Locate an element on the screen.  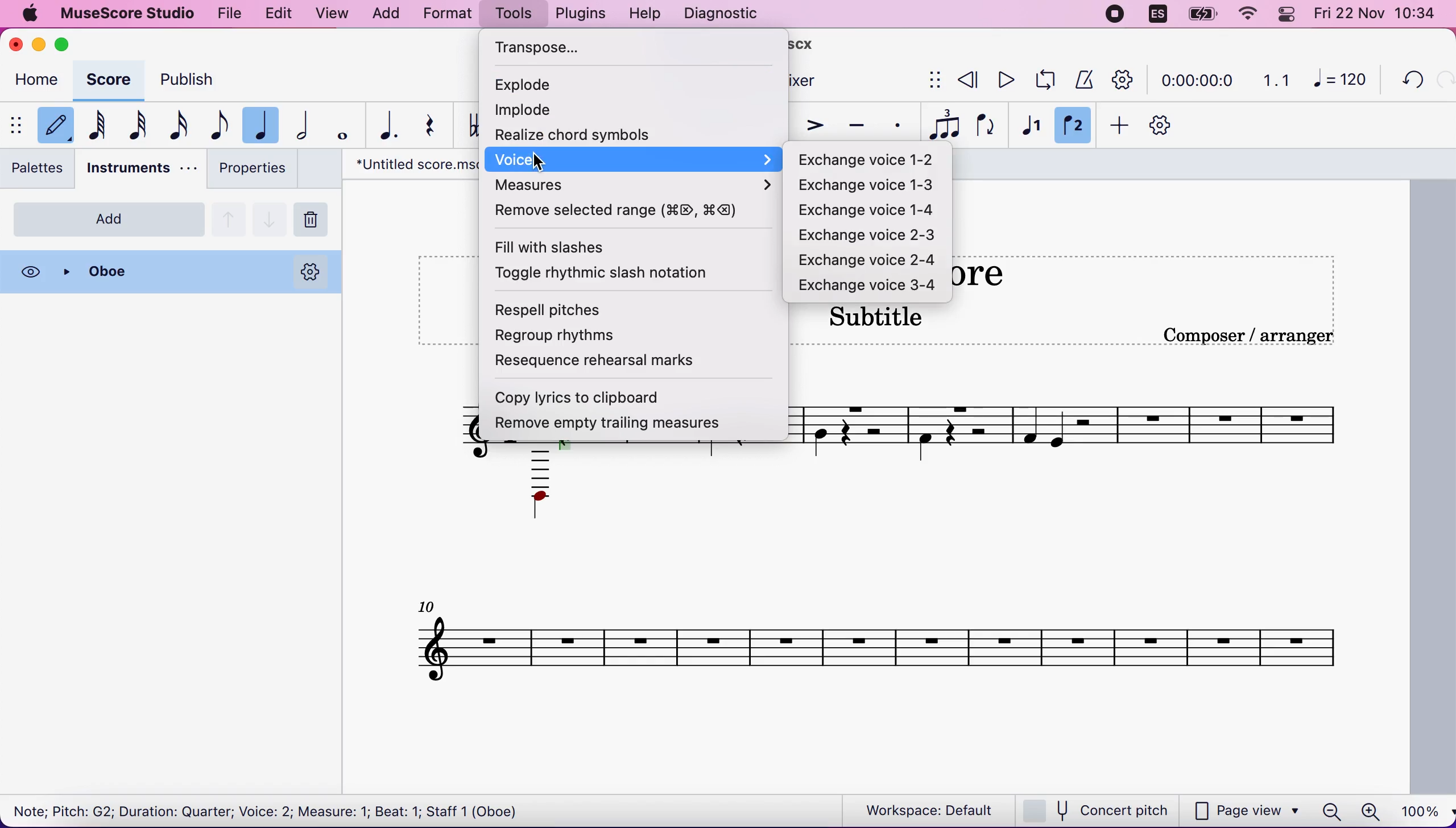
play is located at coordinates (1001, 82).